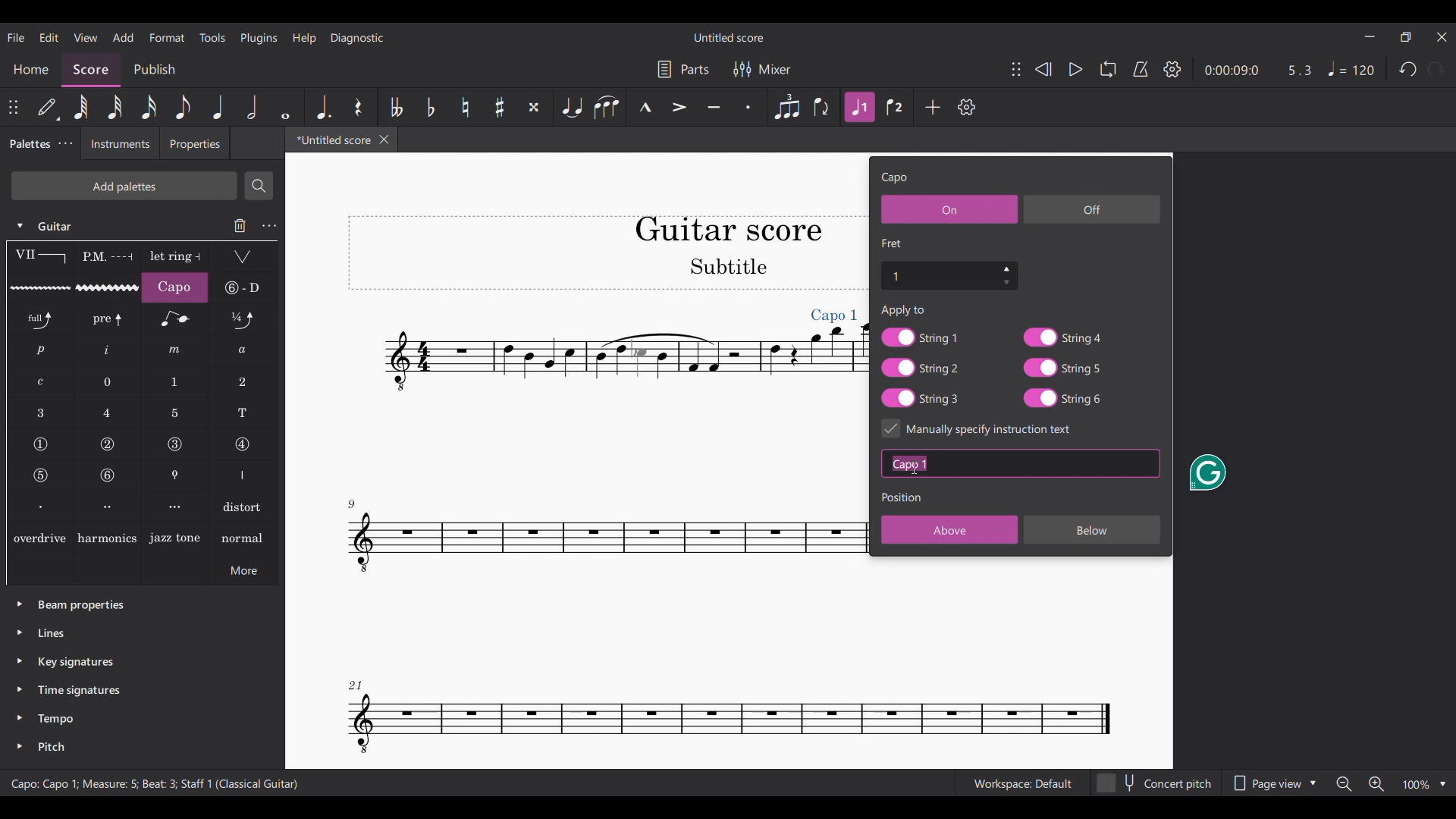 Image resolution: width=1456 pixels, height=819 pixels. I want to click on Rest, so click(359, 107).